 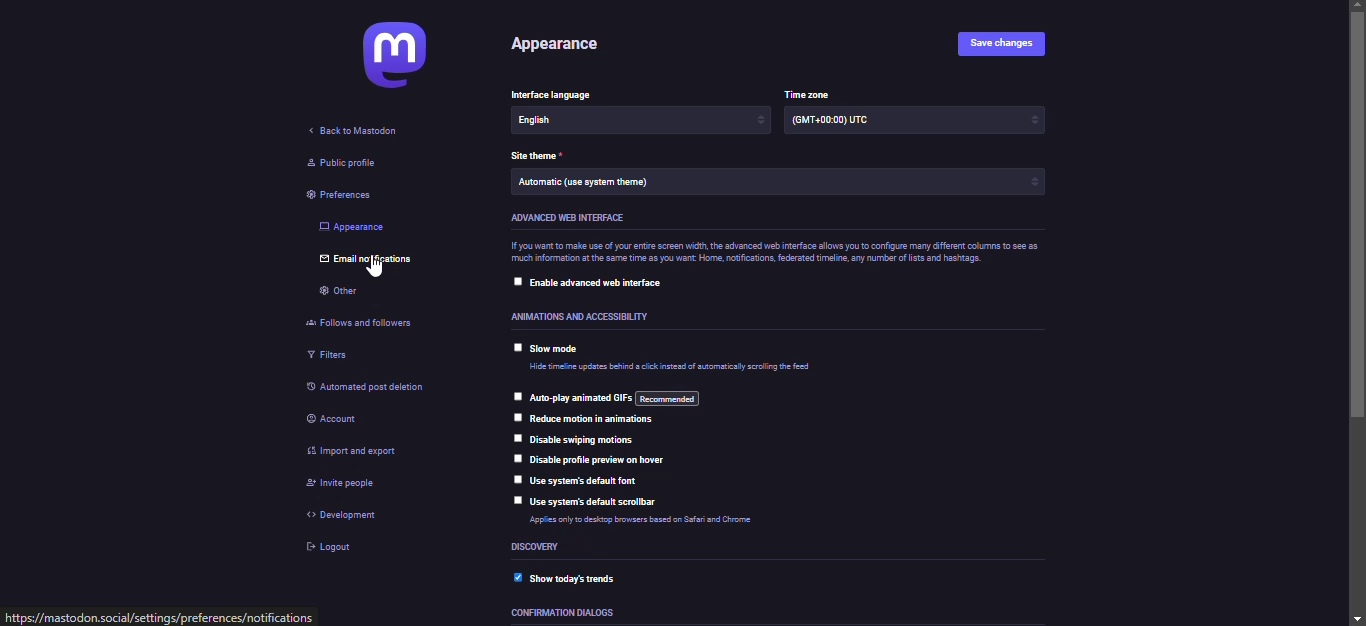 I want to click on filters, so click(x=331, y=358).